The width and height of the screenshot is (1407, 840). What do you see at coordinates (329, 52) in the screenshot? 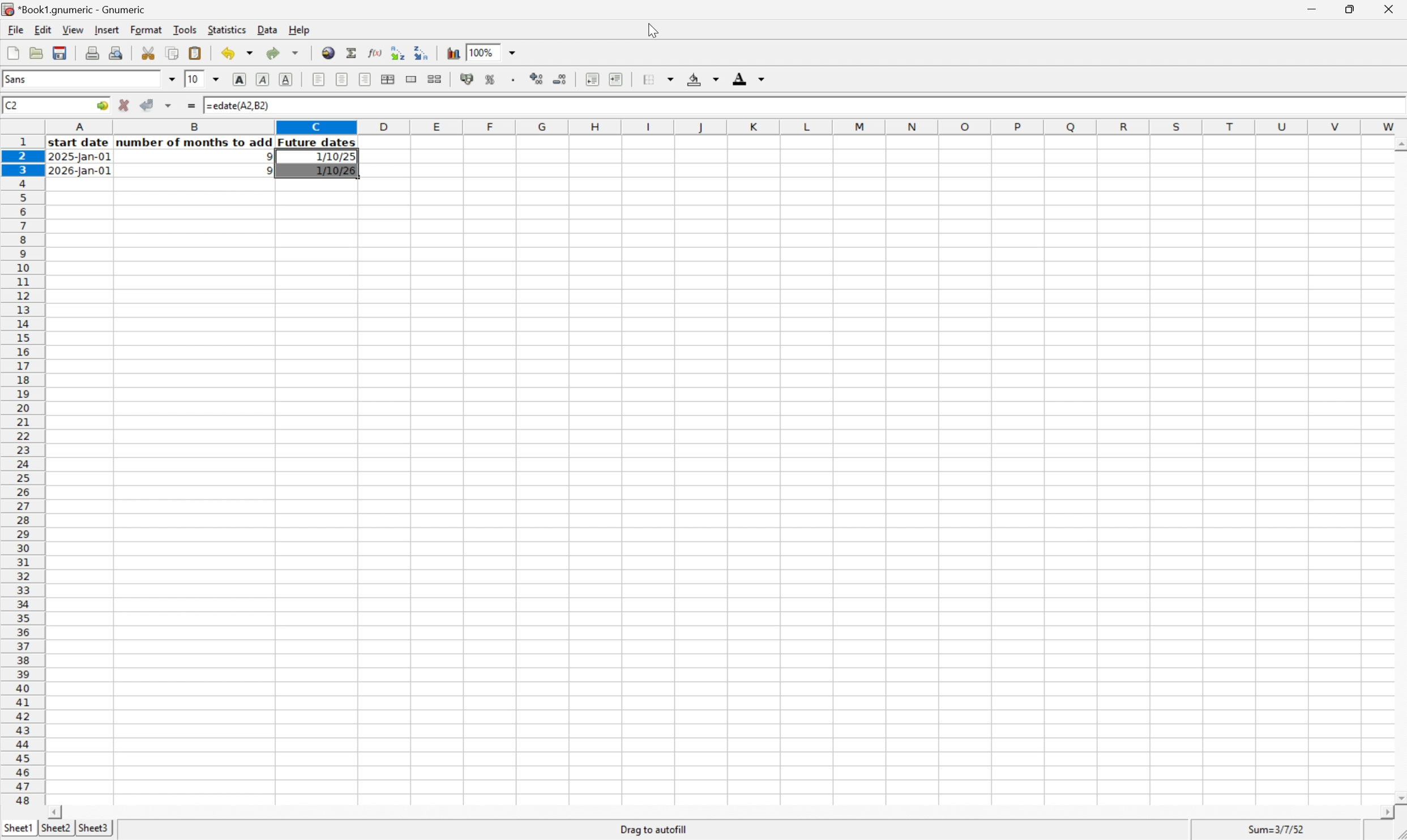
I see `Insert a hyperlink` at bounding box center [329, 52].